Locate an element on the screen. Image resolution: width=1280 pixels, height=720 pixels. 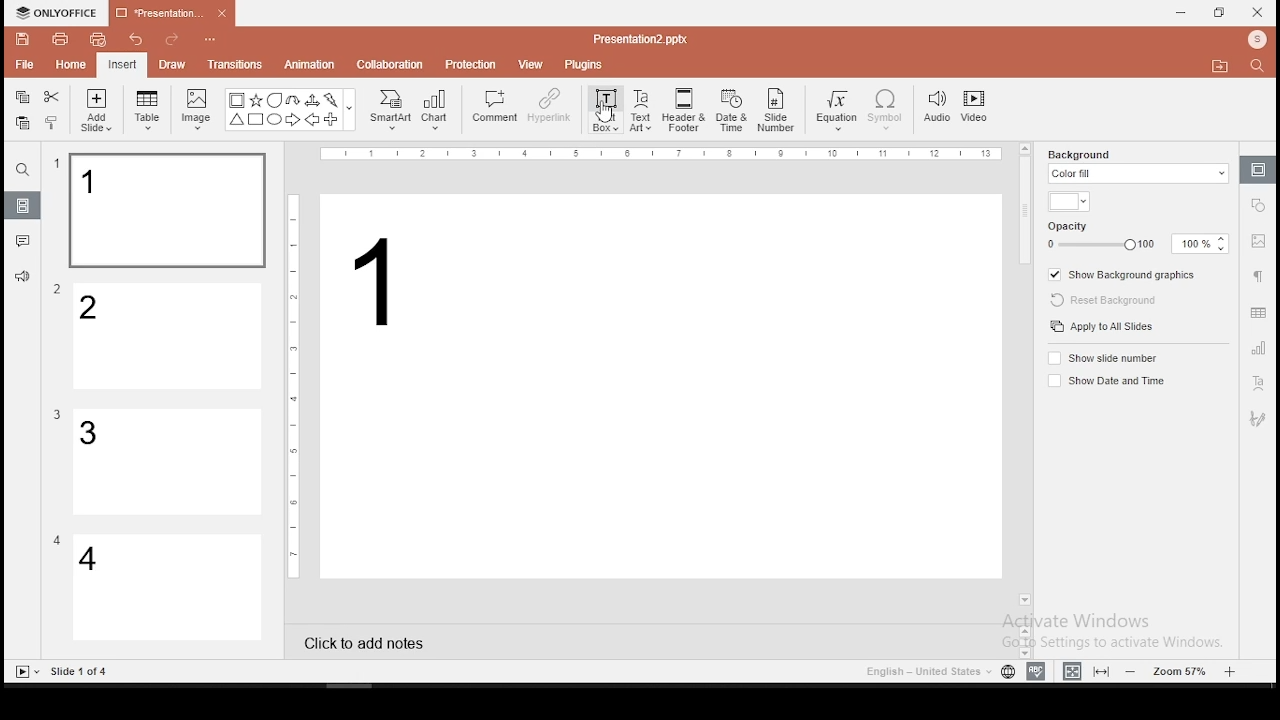
comment is located at coordinates (495, 107).